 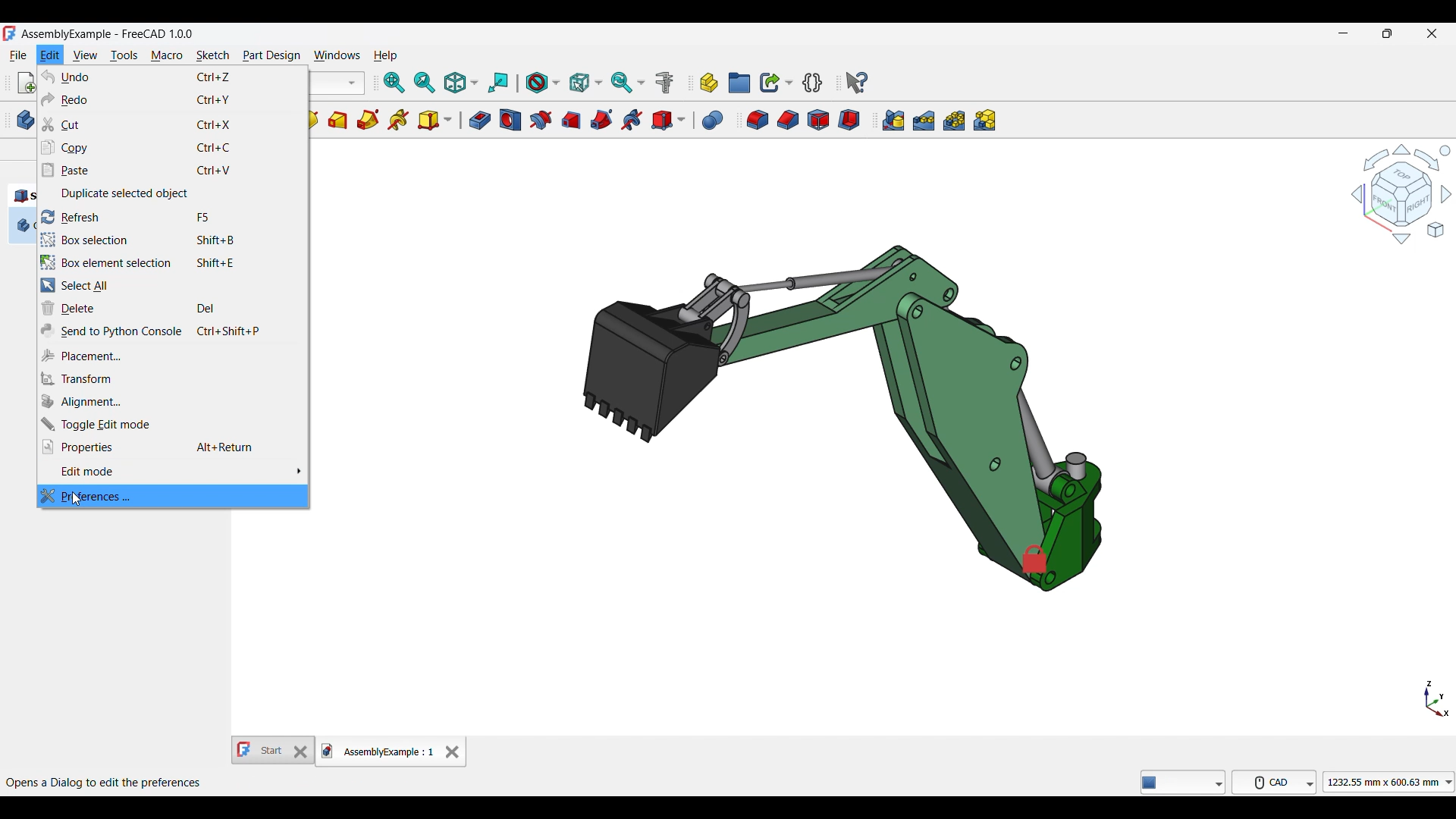 I want to click on Boolean operation, so click(x=712, y=121).